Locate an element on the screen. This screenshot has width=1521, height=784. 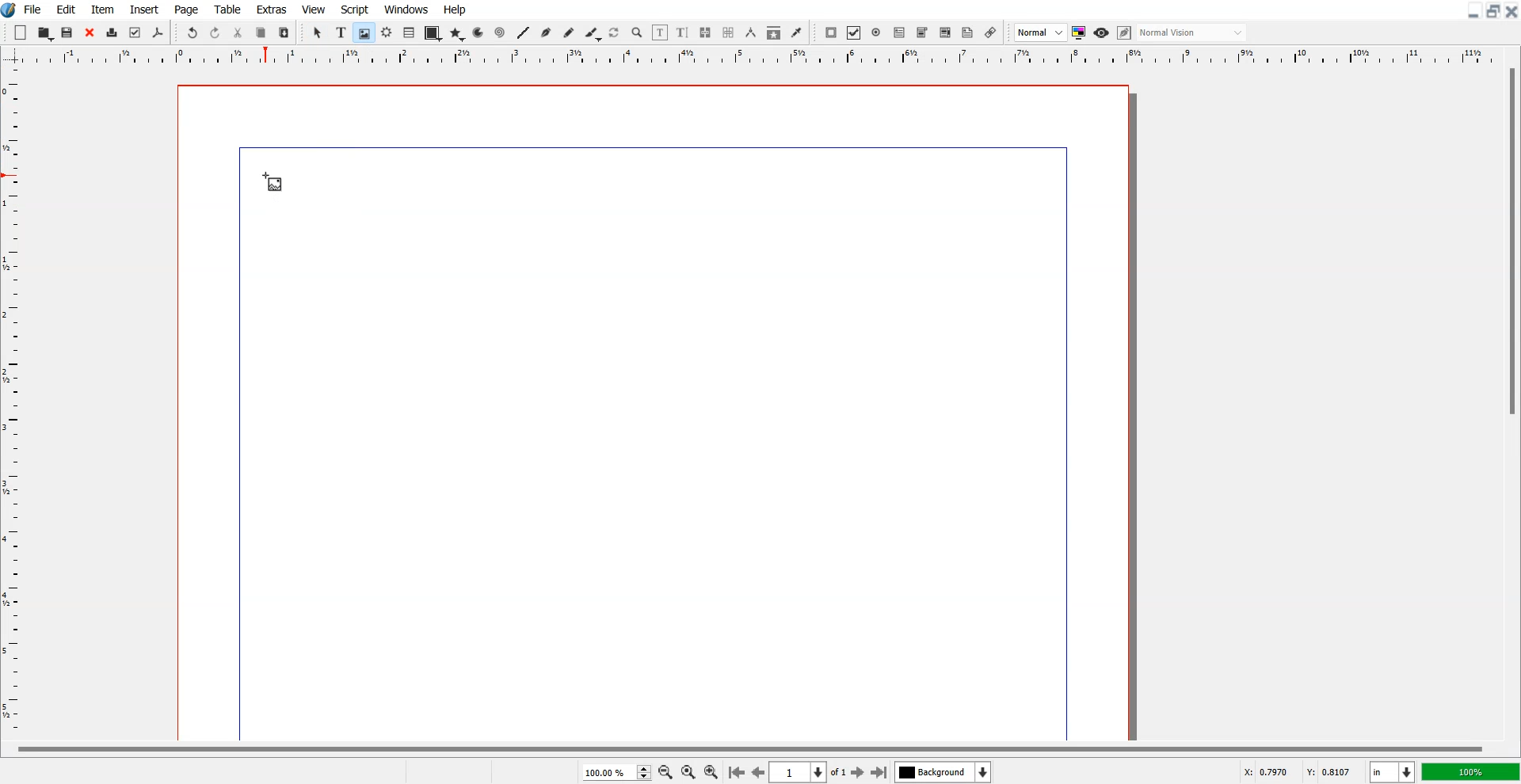
Image Frame is located at coordinates (364, 32).